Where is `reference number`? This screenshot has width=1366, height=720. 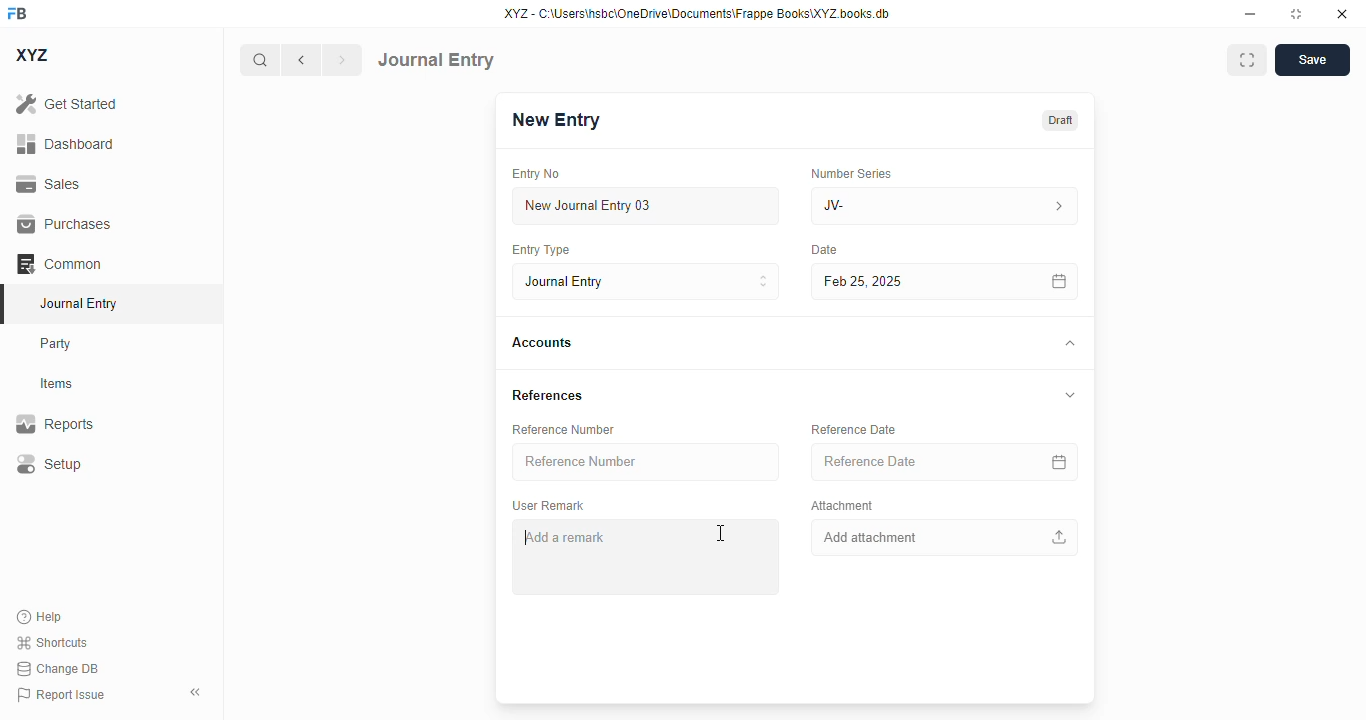
reference number is located at coordinates (648, 462).